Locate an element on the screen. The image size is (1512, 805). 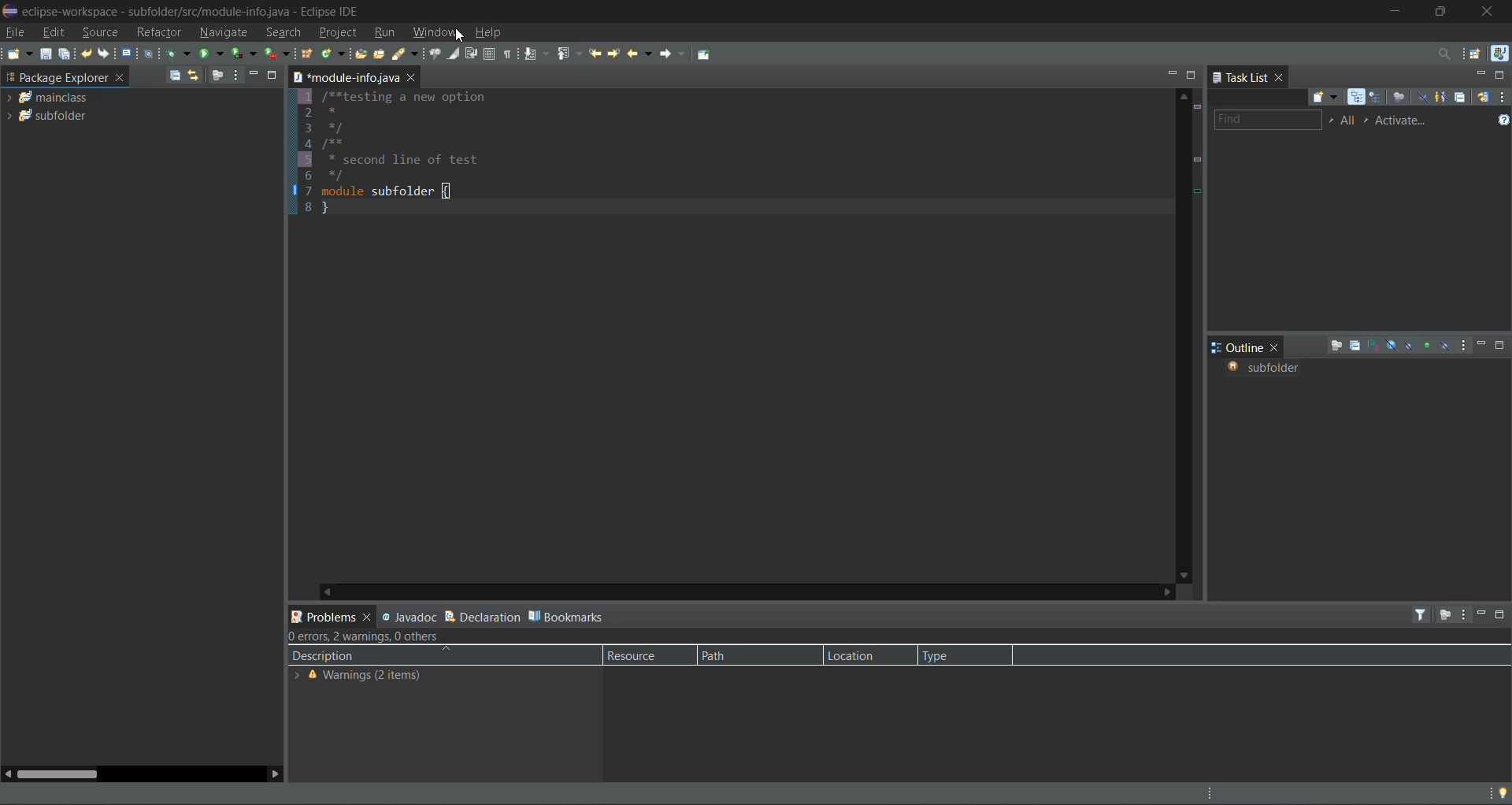
forward is located at coordinates (673, 54).